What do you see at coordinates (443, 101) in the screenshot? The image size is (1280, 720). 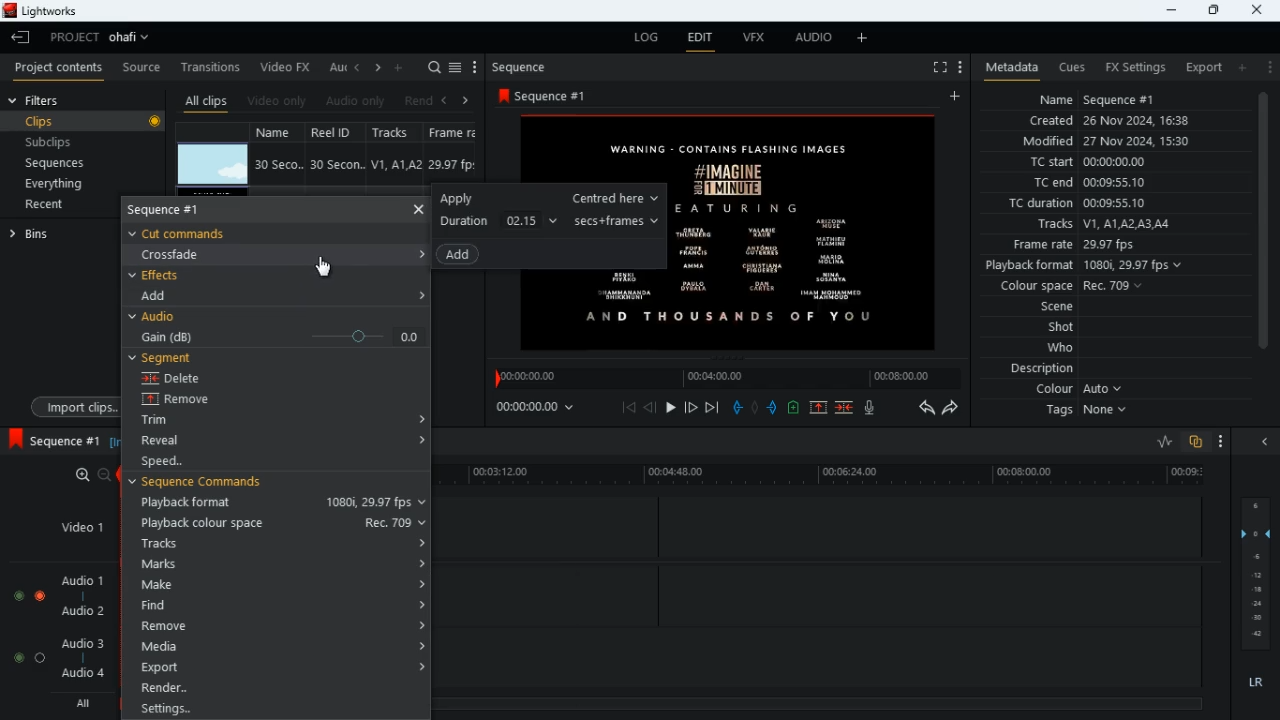 I see `back` at bounding box center [443, 101].